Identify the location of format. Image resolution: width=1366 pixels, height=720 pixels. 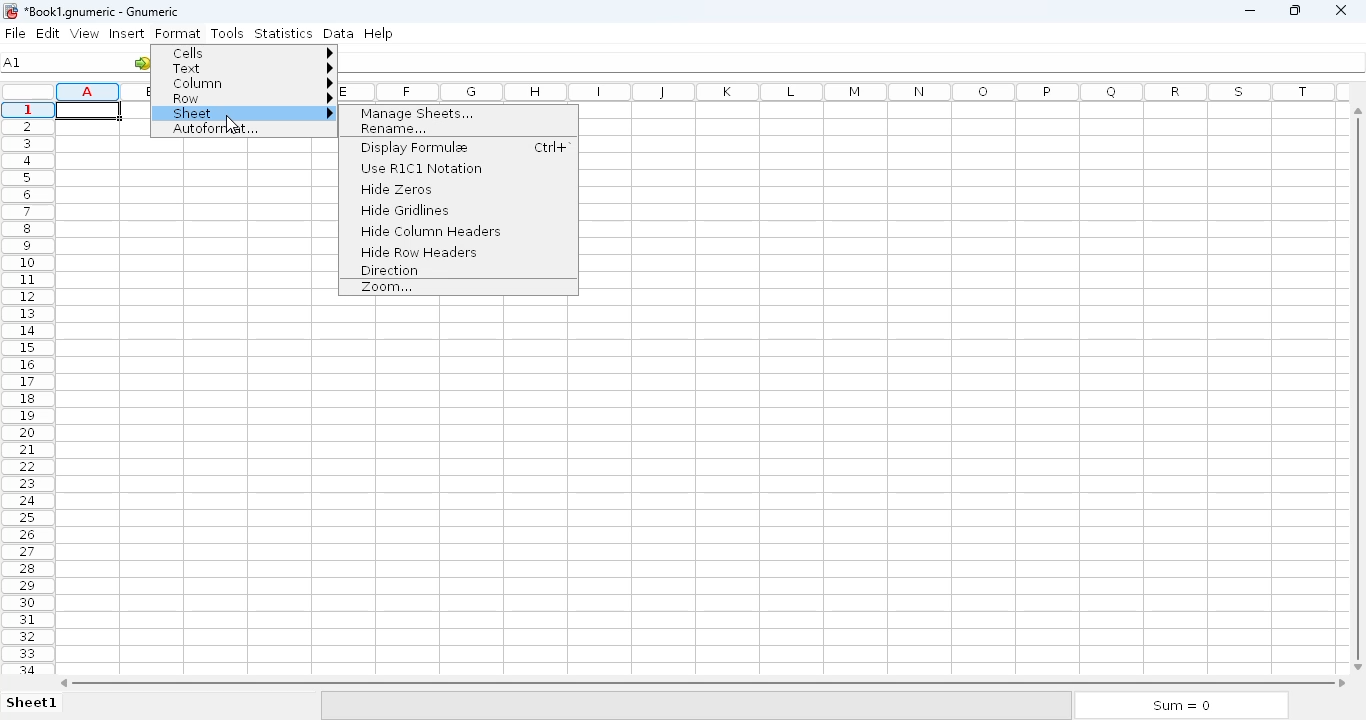
(178, 33).